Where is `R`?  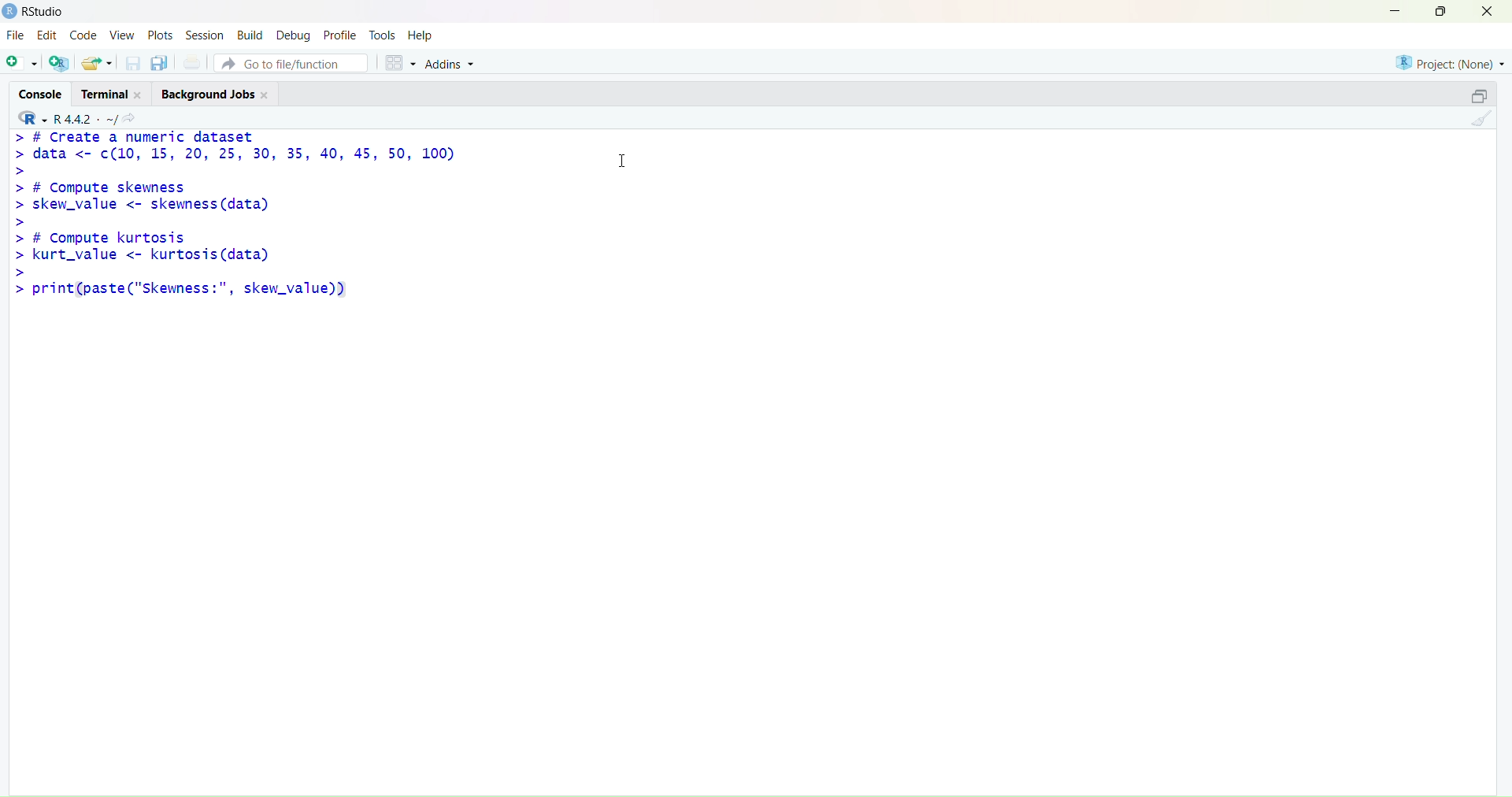 R is located at coordinates (28, 117).